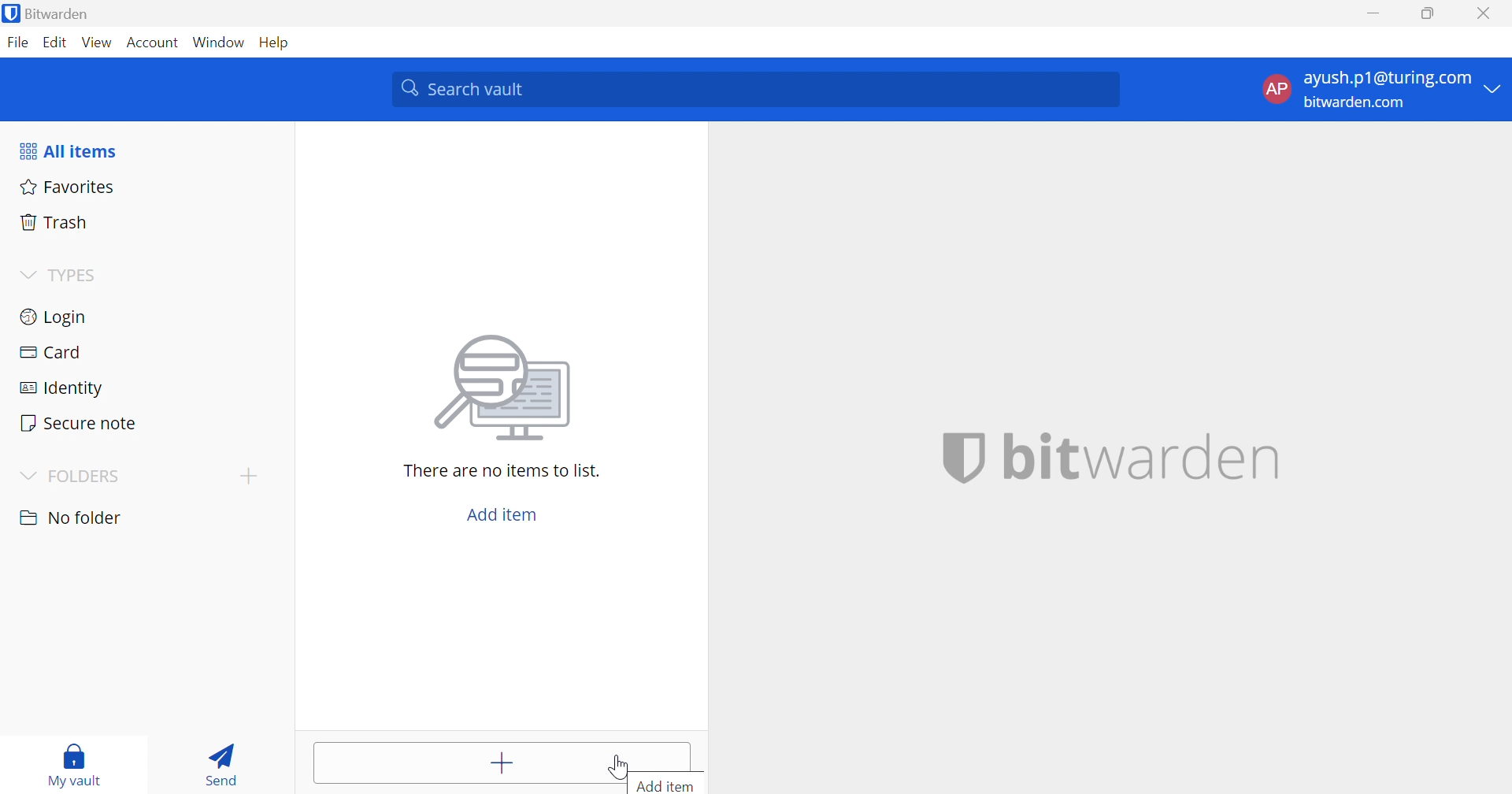 The image size is (1512, 794). Describe the element at coordinates (96, 42) in the screenshot. I see `View` at that location.